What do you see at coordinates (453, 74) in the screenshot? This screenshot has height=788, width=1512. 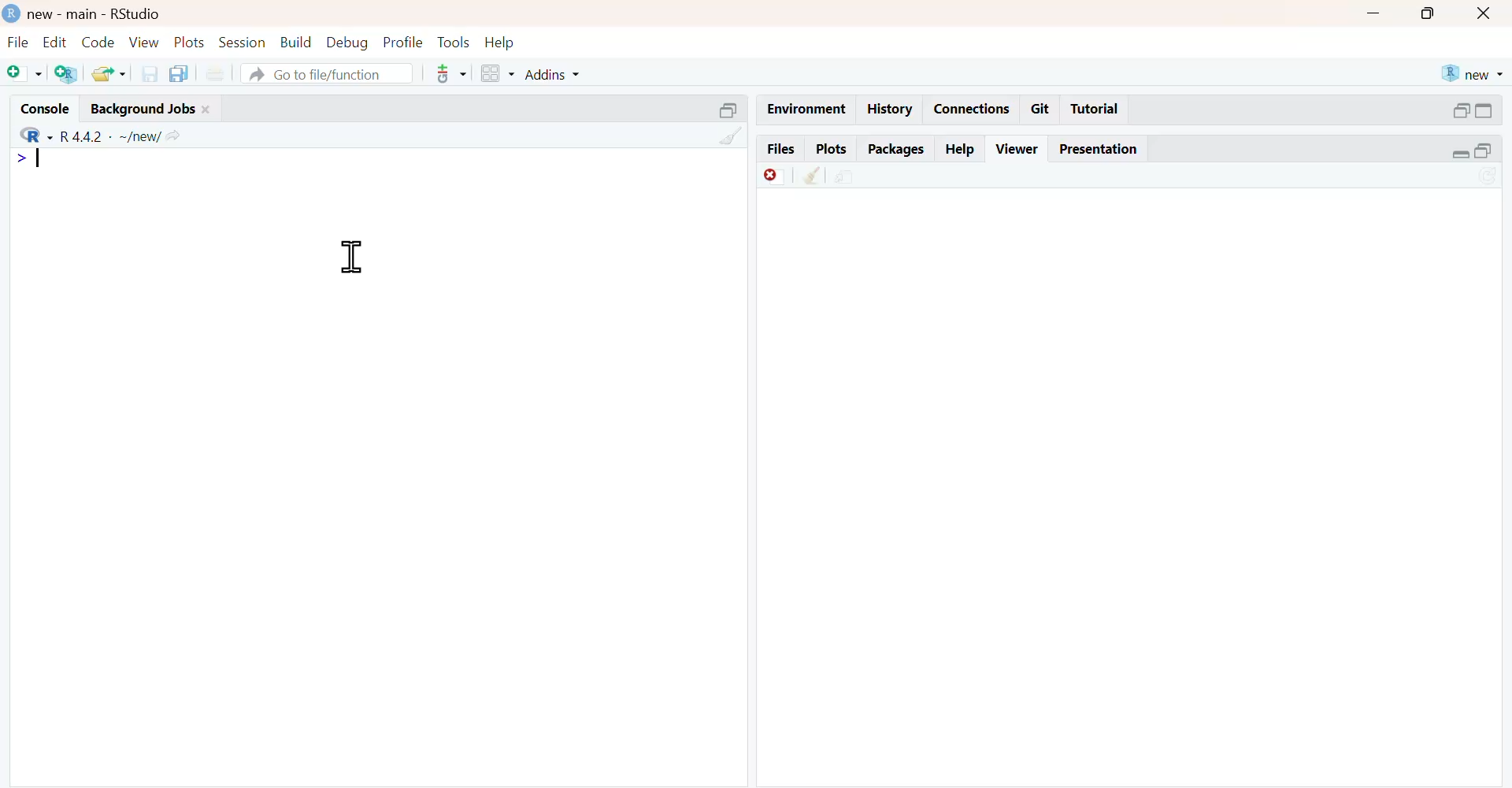 I see `tools` at bounding box center [453, 74].